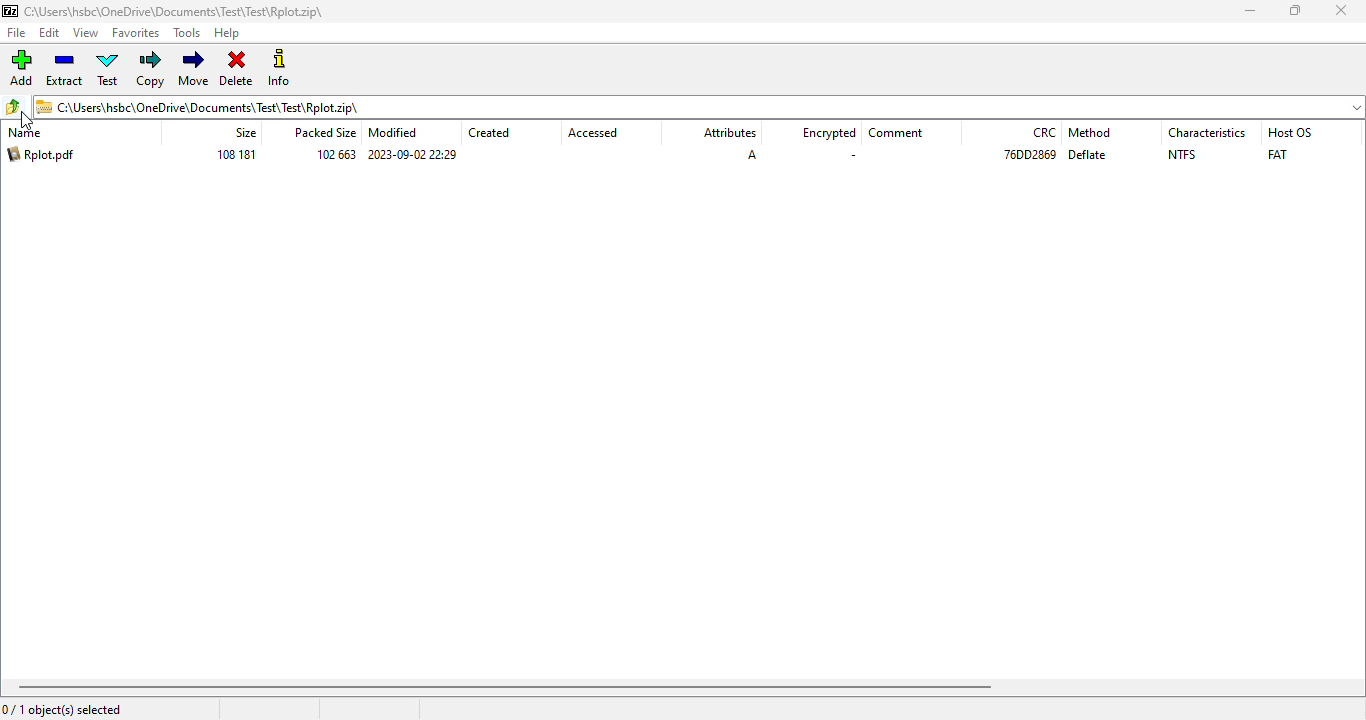  What do you see at coordinates (1356, 107) in the screenshot?
I see `folders` at bounding box center [1356, 107].